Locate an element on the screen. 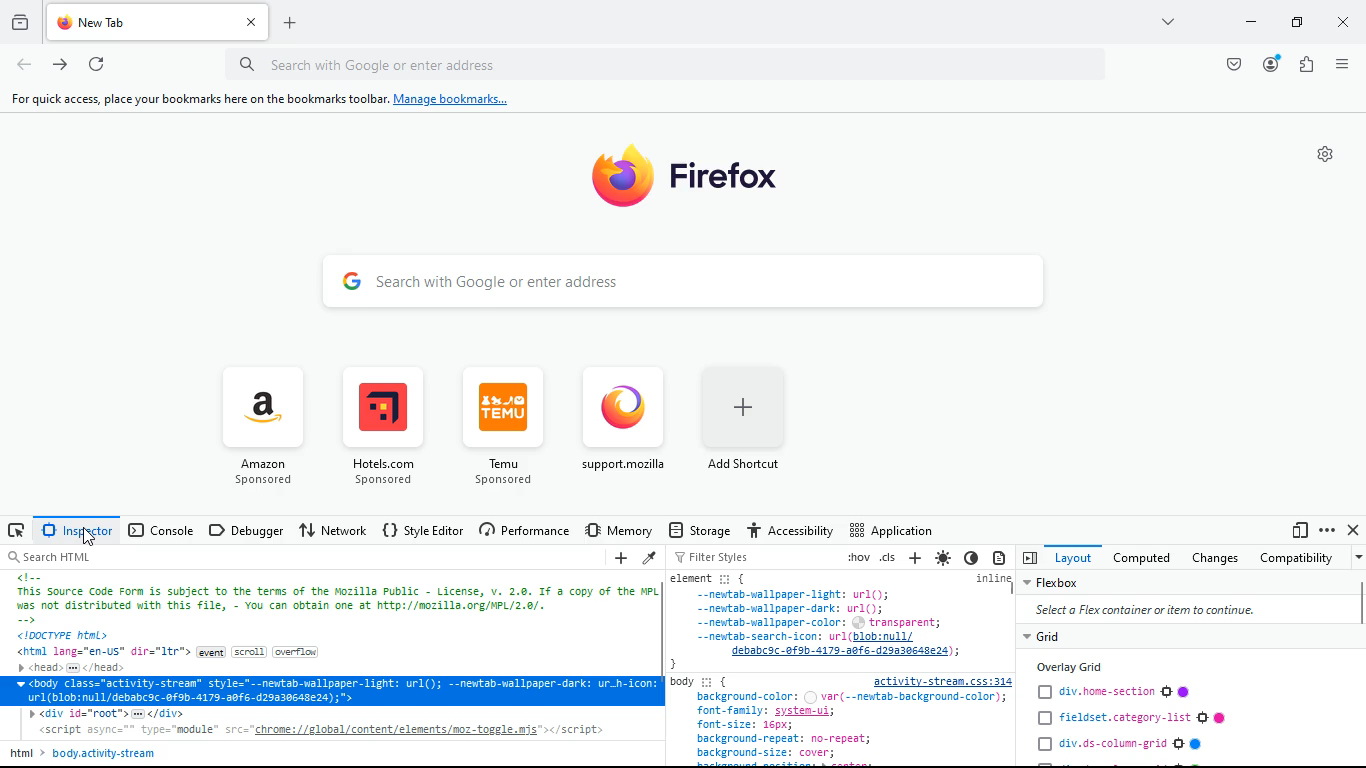 This screenshot has width=1366, height=768. more is located at coordinates (1327, 530).